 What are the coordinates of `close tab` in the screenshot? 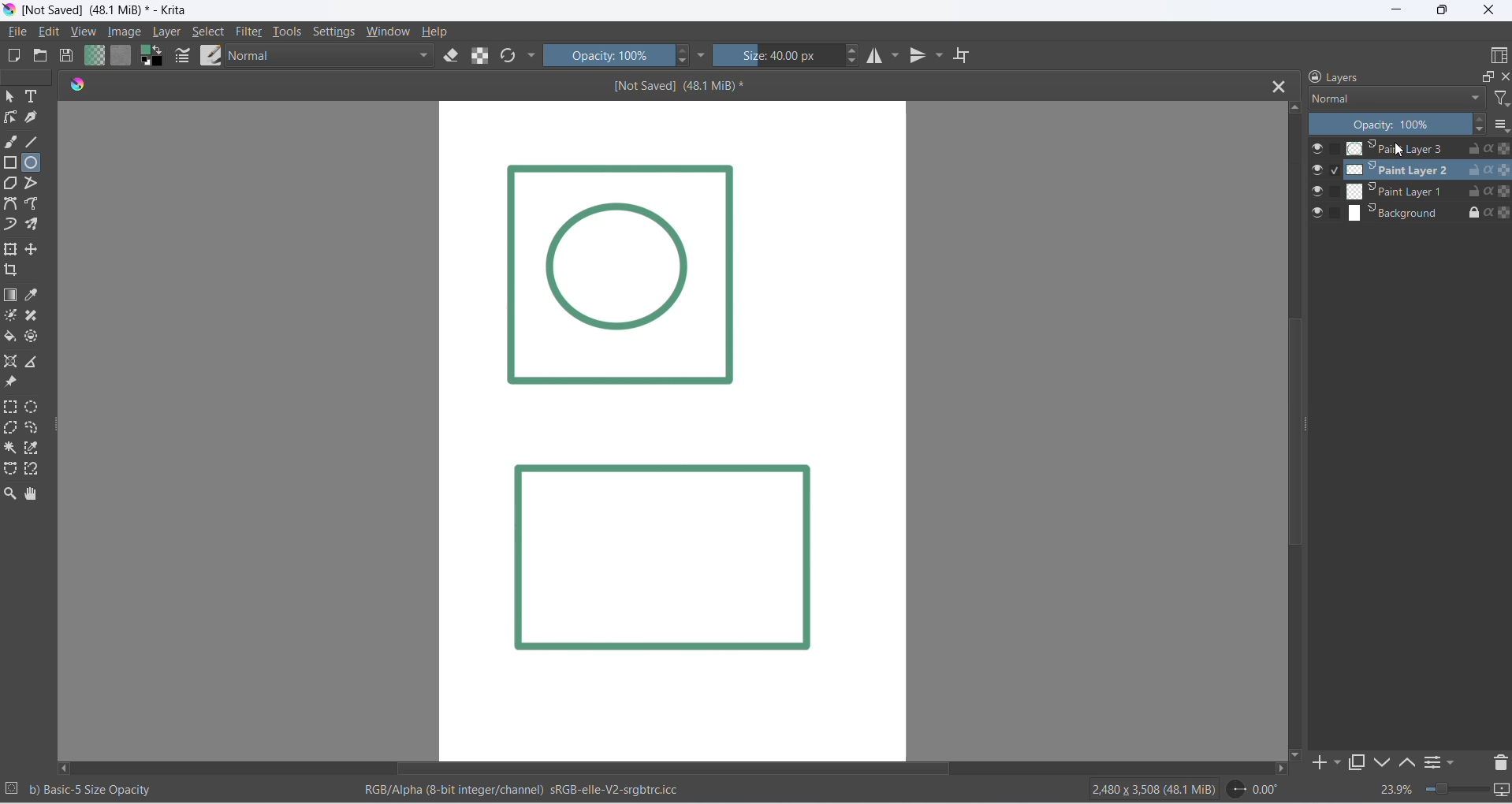 It's located at (1276, 84).